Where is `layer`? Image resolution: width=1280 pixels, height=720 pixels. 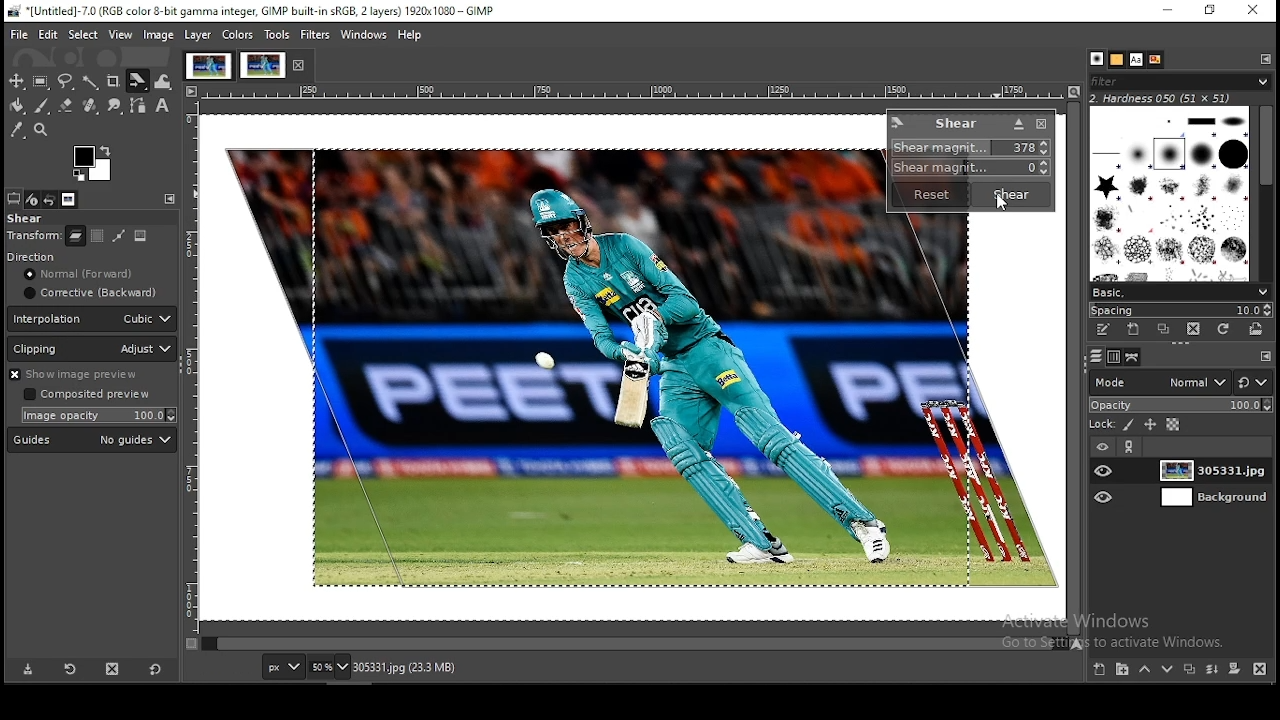 layer is located at coordinates (1210, 471).